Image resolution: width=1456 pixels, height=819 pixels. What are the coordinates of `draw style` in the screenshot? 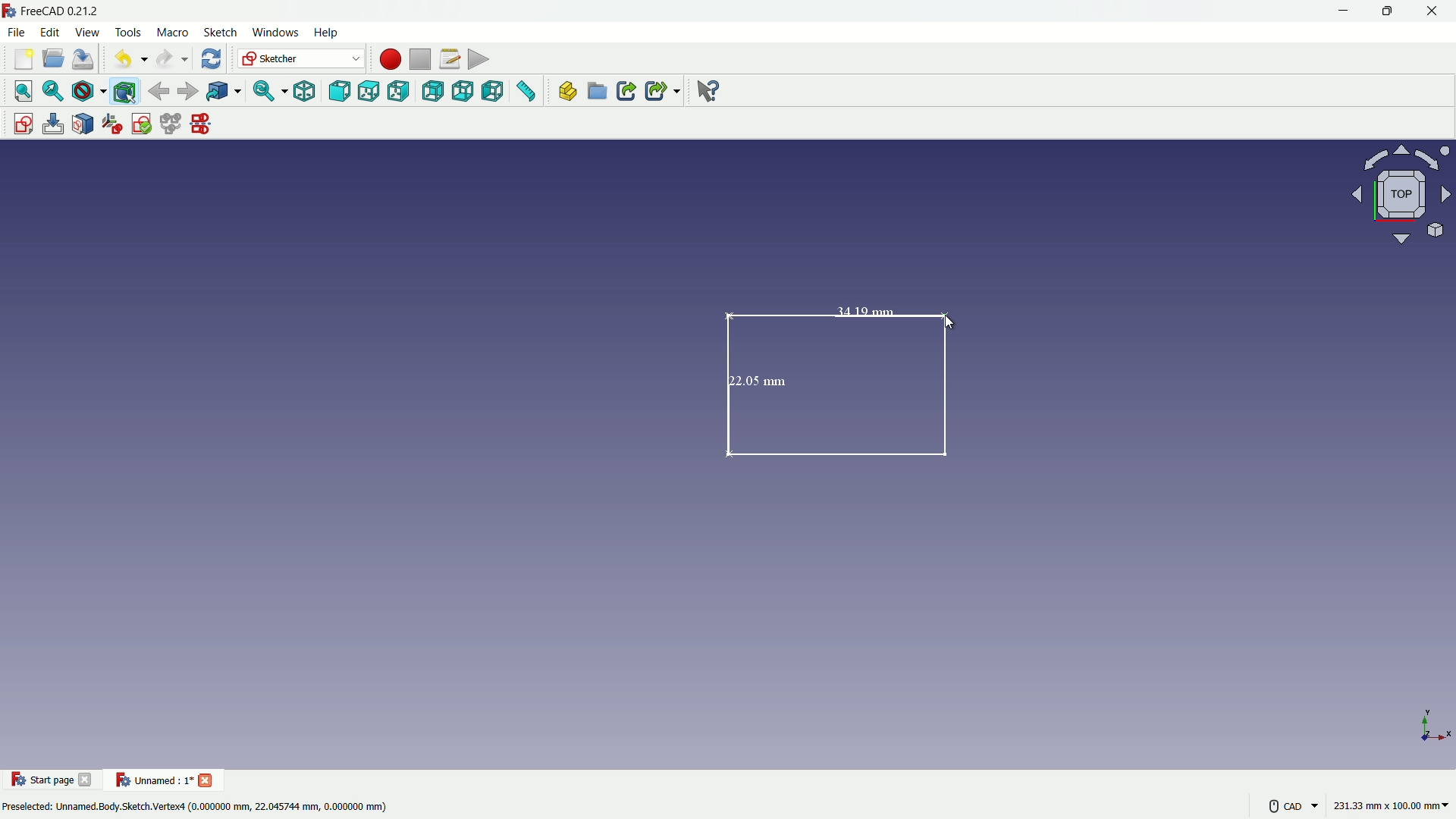 It's located at (89, 91).